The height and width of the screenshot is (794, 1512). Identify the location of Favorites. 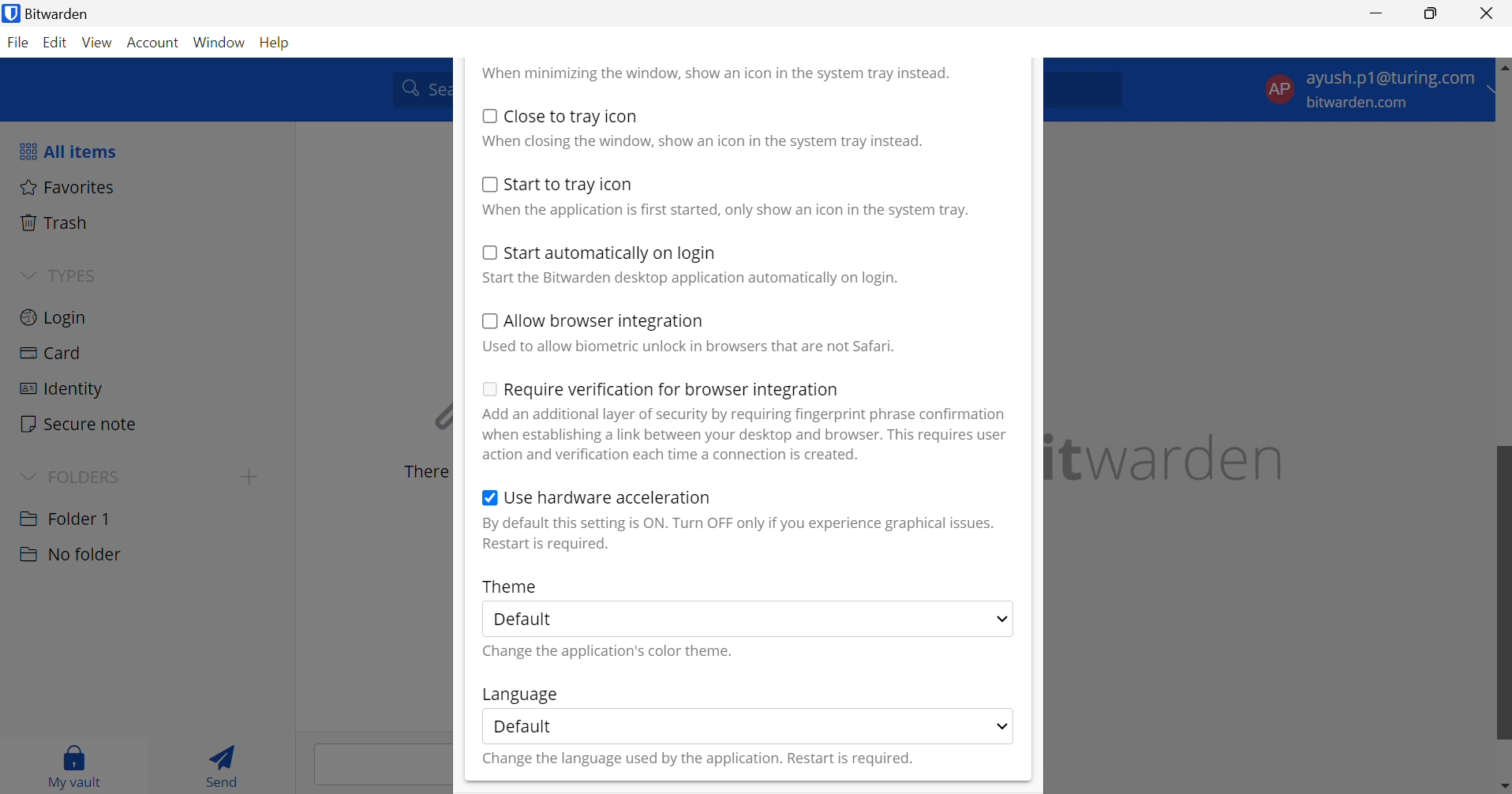
(68, 186).